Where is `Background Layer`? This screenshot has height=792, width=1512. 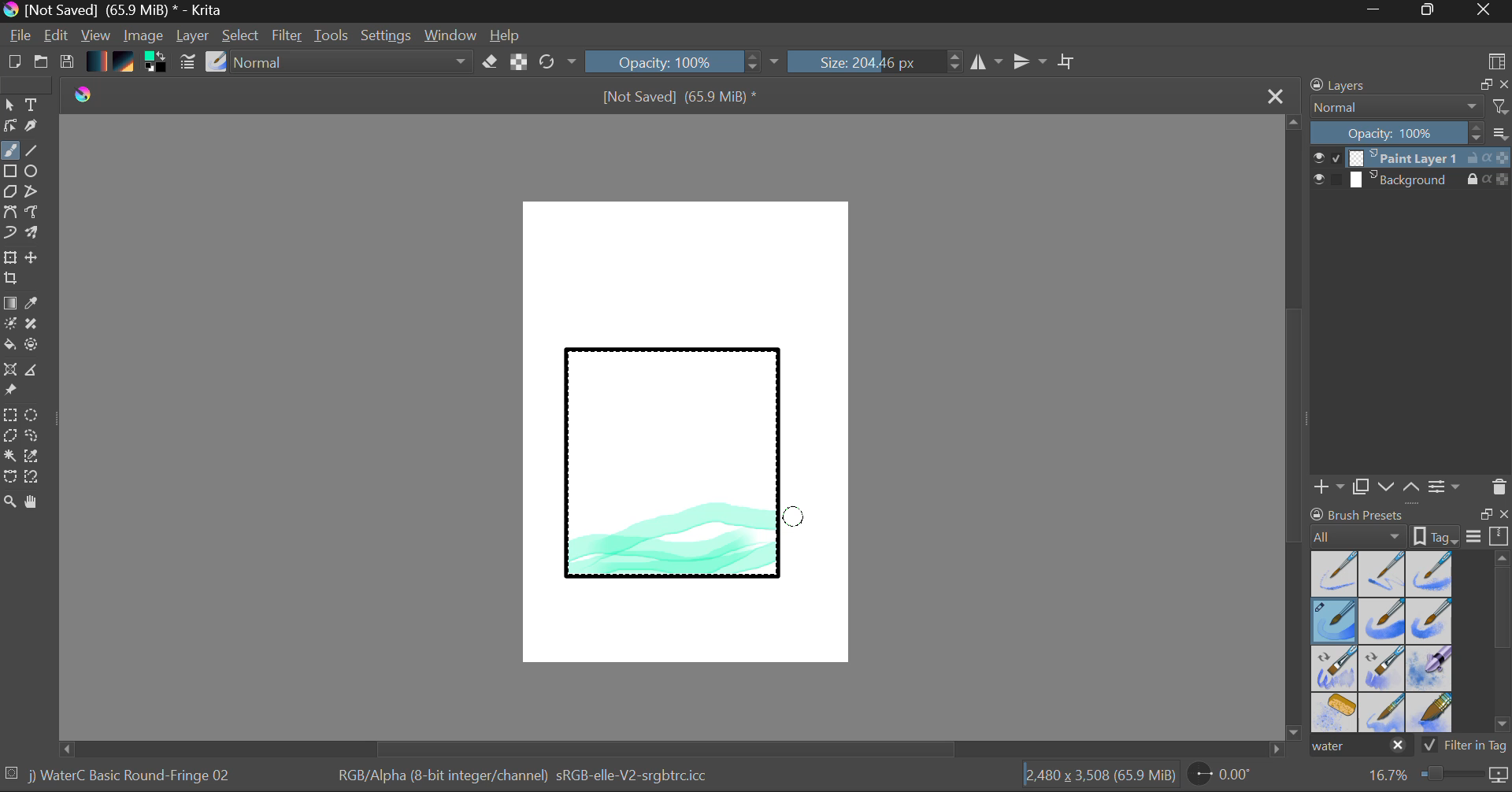
Background Layer is located at coordinates (1411, 180).